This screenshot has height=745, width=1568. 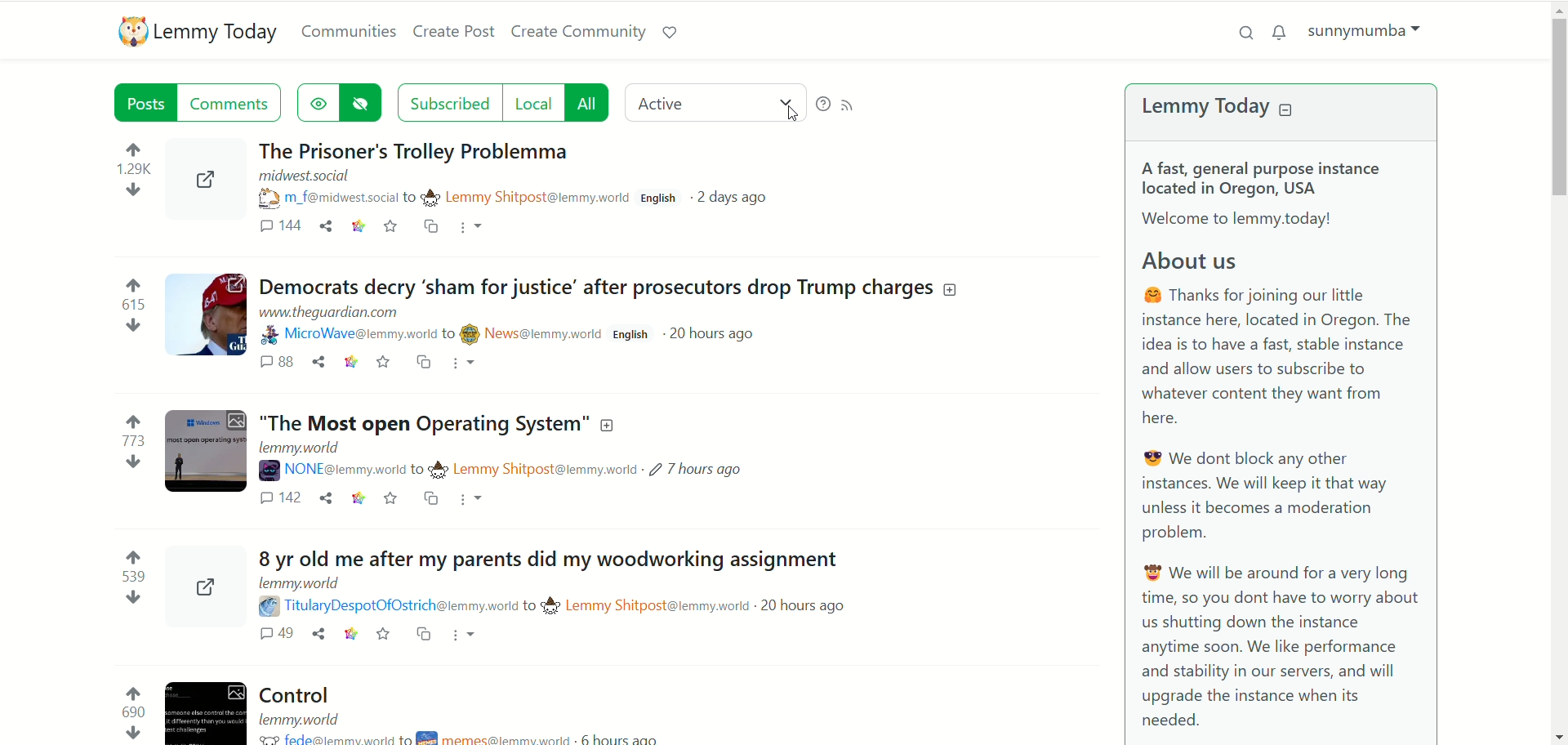 What do you see at coordinates (465, 633) in the screenshot?
I see `More` at bounding box center [465, 633].